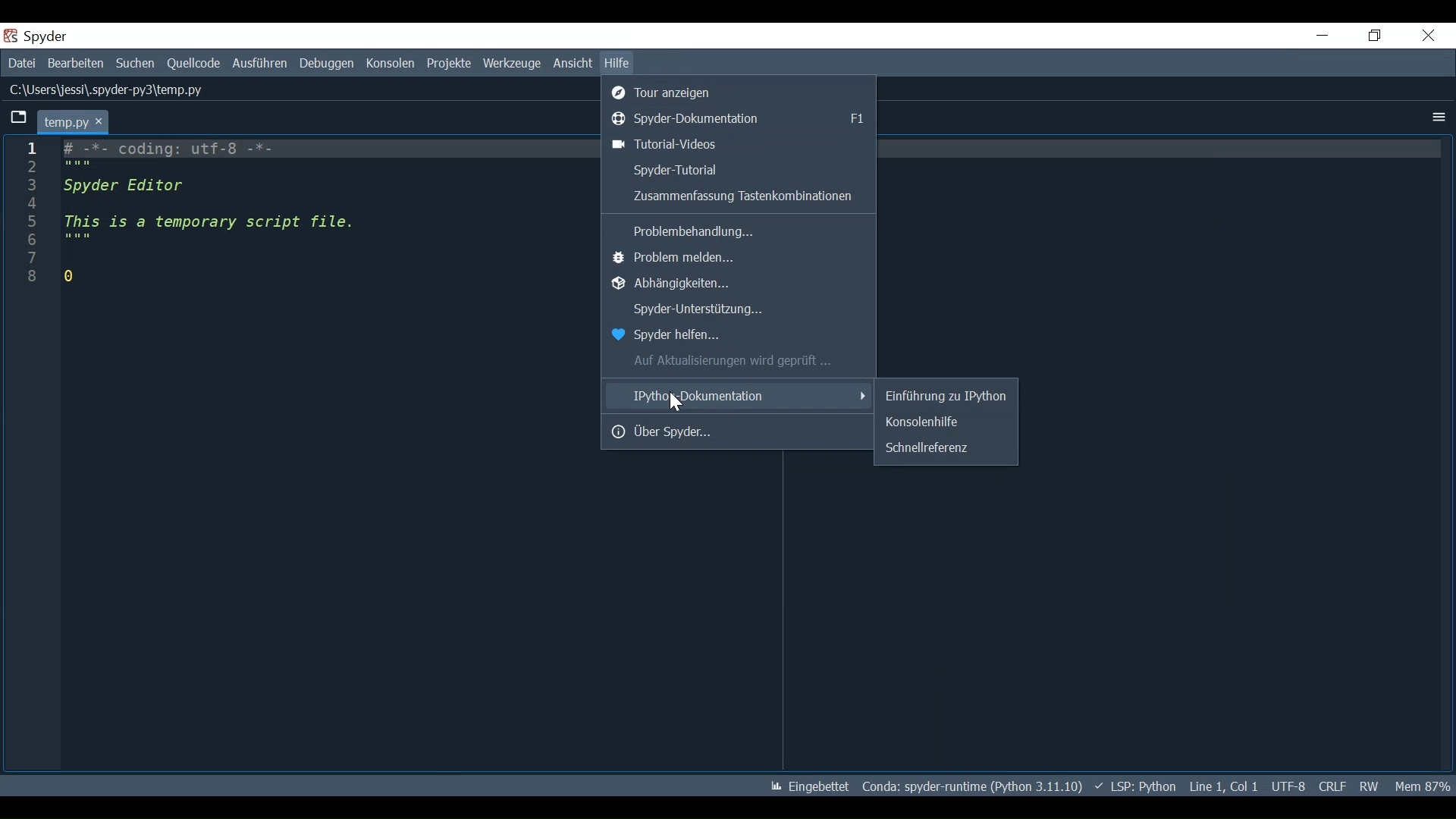 The height and width of the screenshot is (819, 1456). I want to click on Projects, so click(450, 64).